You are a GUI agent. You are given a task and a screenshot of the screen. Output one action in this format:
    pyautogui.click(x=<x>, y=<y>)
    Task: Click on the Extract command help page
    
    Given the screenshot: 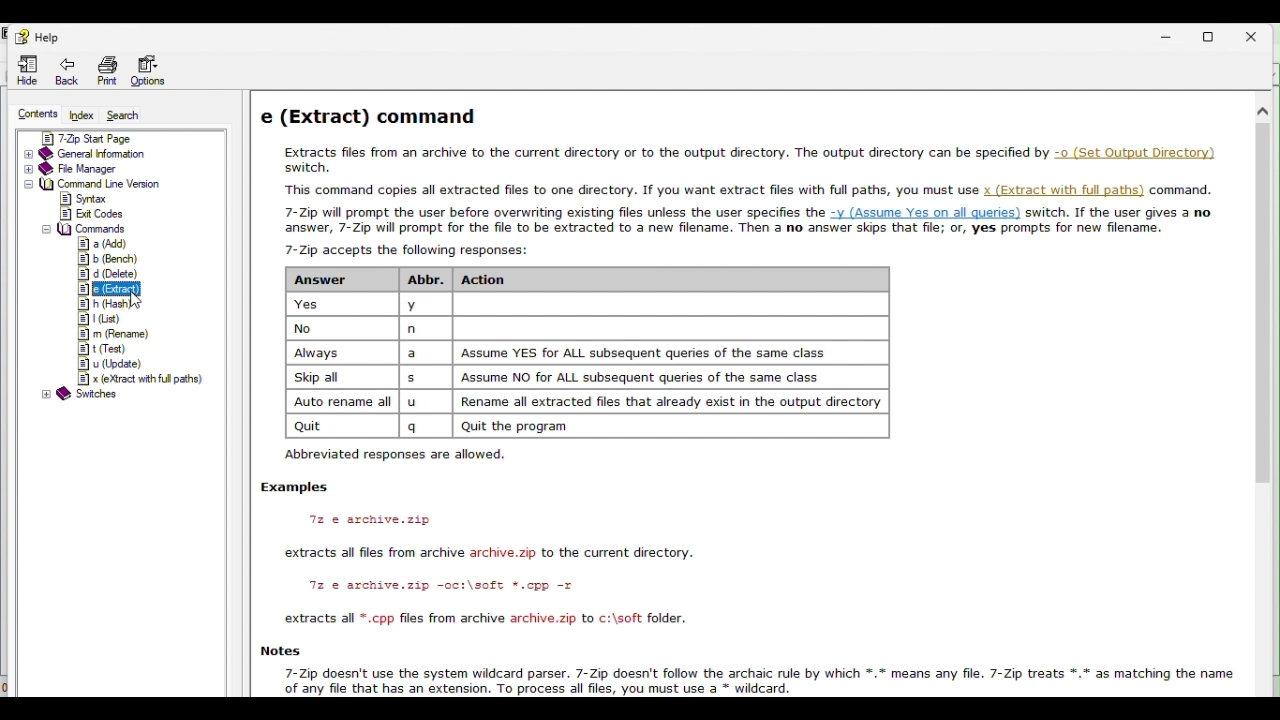 What is the action you would take?
    pyautogui.click(x=738, y=165)
    